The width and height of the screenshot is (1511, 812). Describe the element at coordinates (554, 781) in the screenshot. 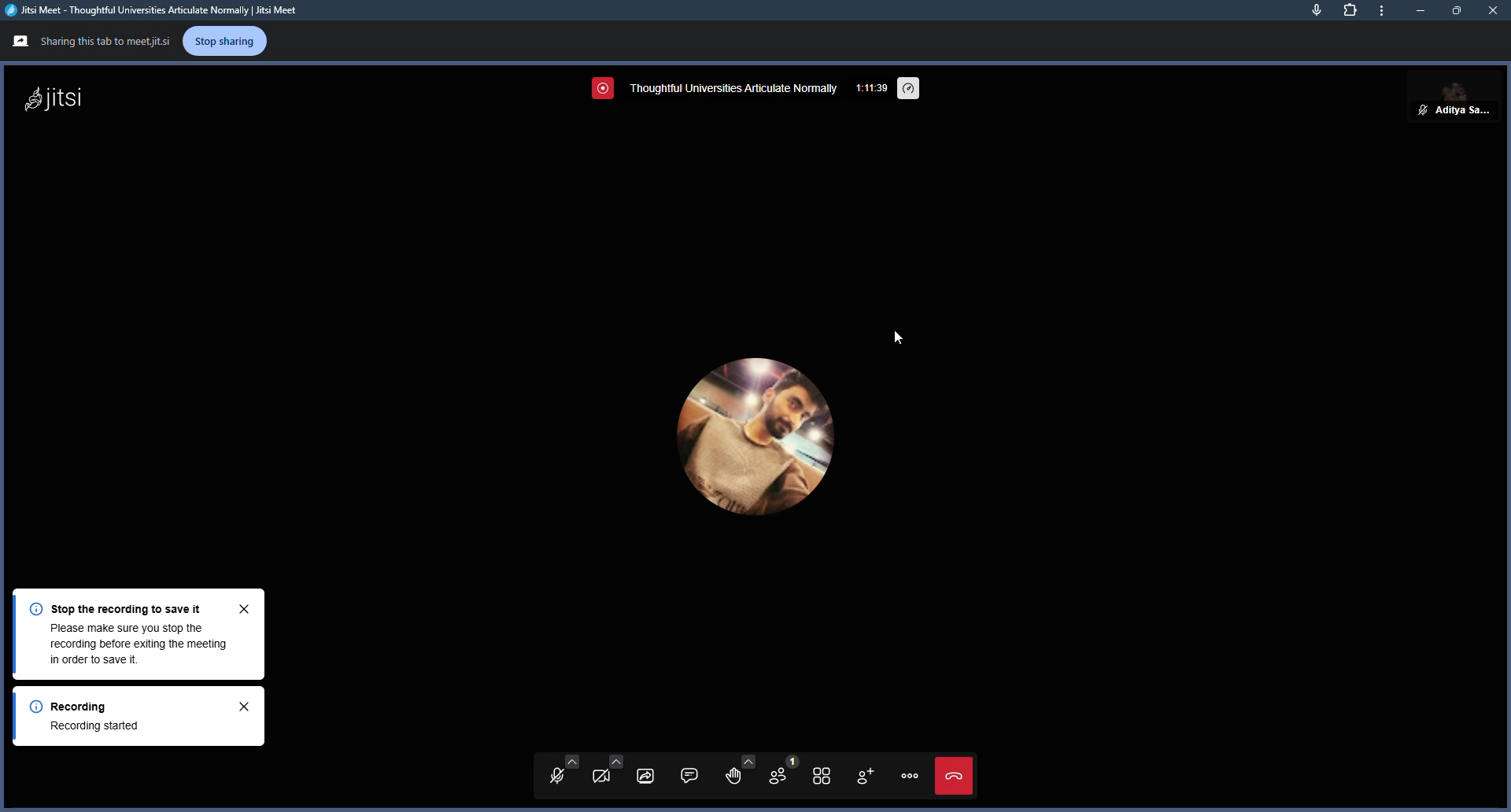

I see `unmute mic` at that location.